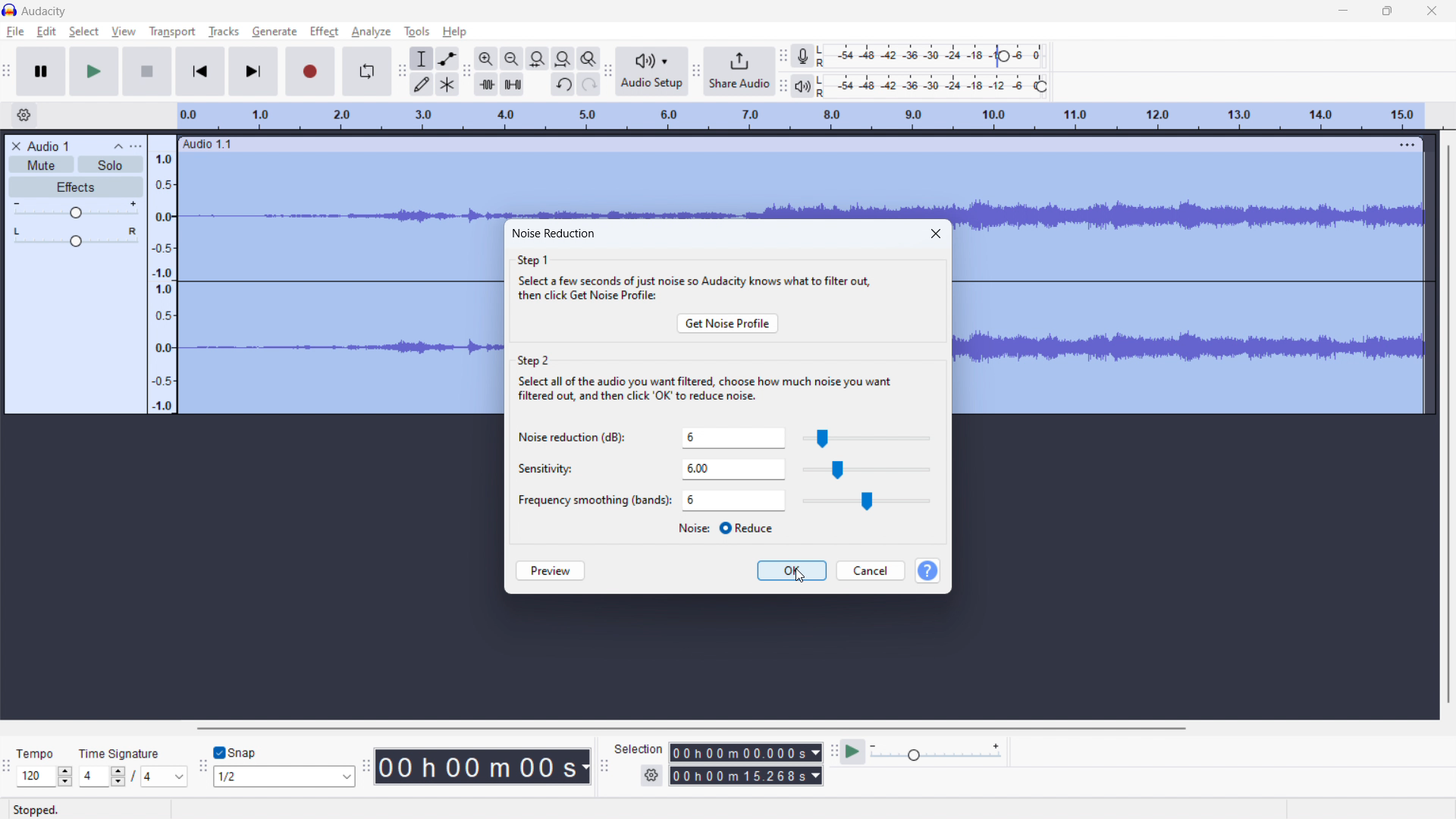 The height and width of the screenshot is (819, 1456). Describe the element at coordinates (39, 810) in the screenshot. I see `Stopped ` at that location.